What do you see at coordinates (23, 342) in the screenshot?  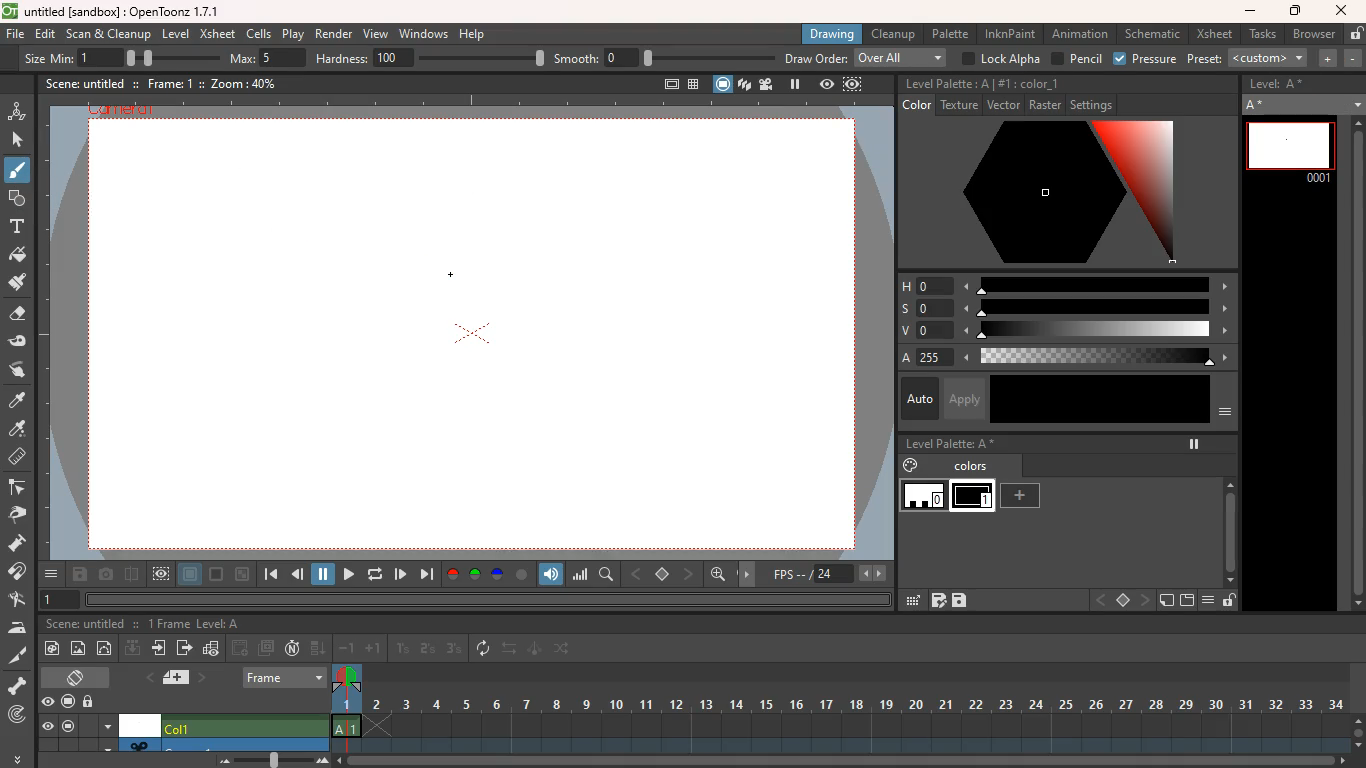 I see `edit` at bounding box center [23, 342].